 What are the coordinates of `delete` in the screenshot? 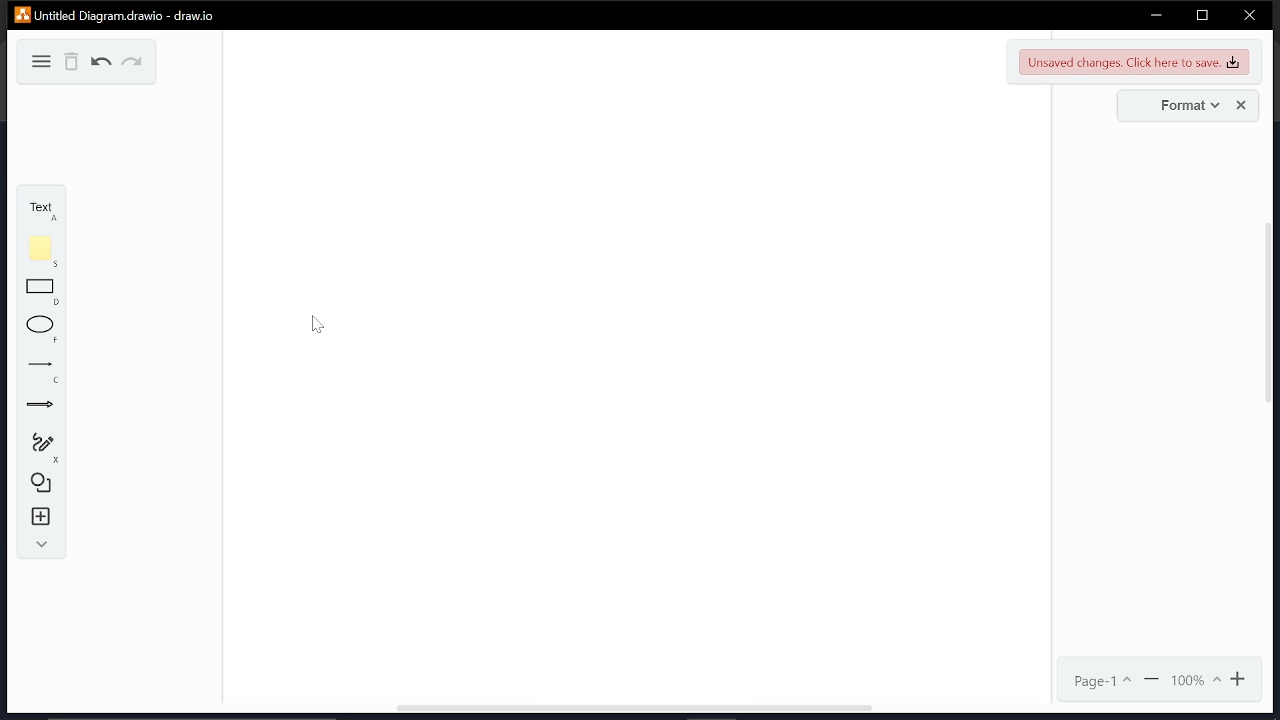 It's located at (73, 62).